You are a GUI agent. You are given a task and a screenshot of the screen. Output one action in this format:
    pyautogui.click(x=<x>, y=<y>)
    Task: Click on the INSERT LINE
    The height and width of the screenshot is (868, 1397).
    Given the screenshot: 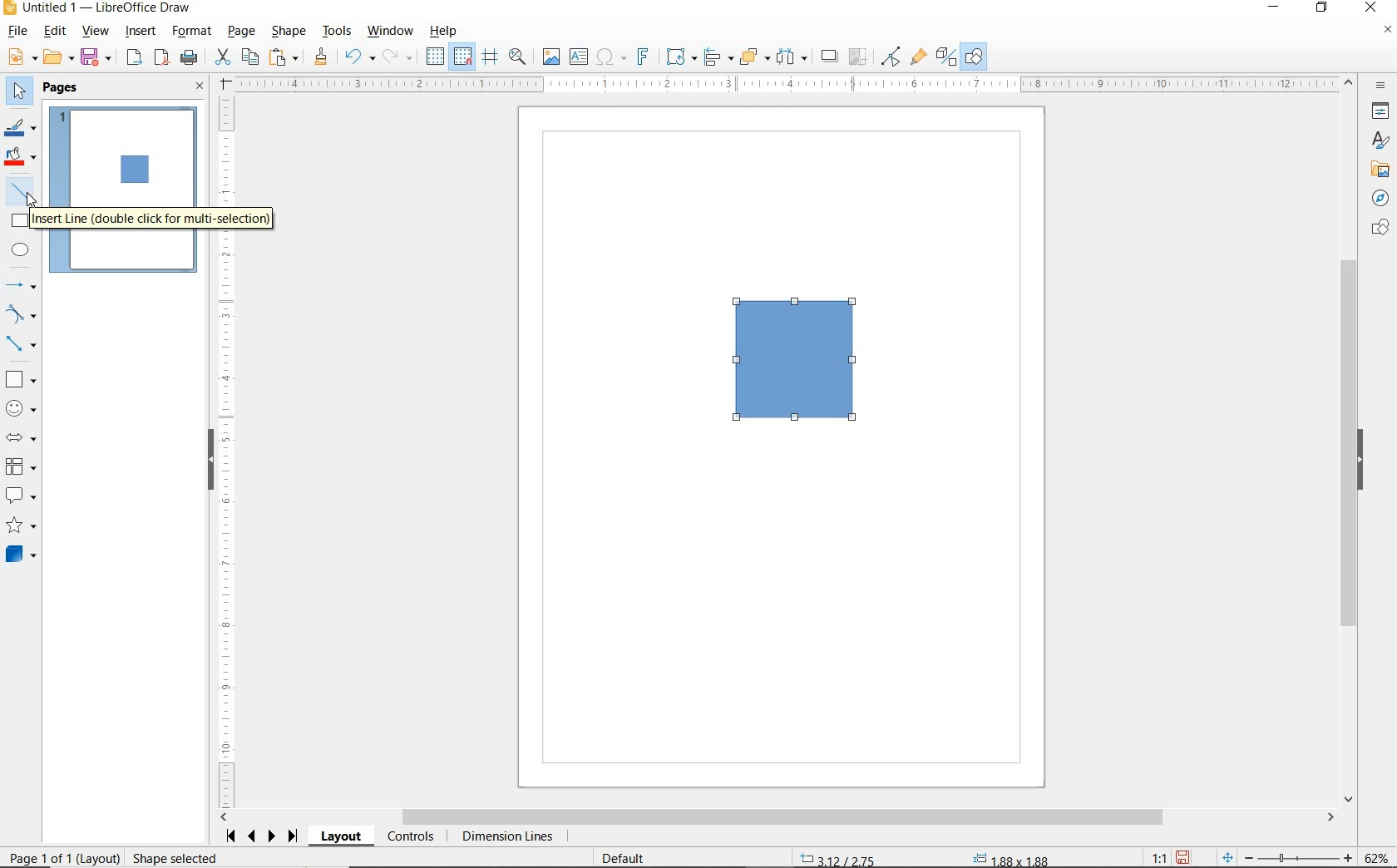 What is the action you would take?
    pyautogui.click(x=22, y=191)
    